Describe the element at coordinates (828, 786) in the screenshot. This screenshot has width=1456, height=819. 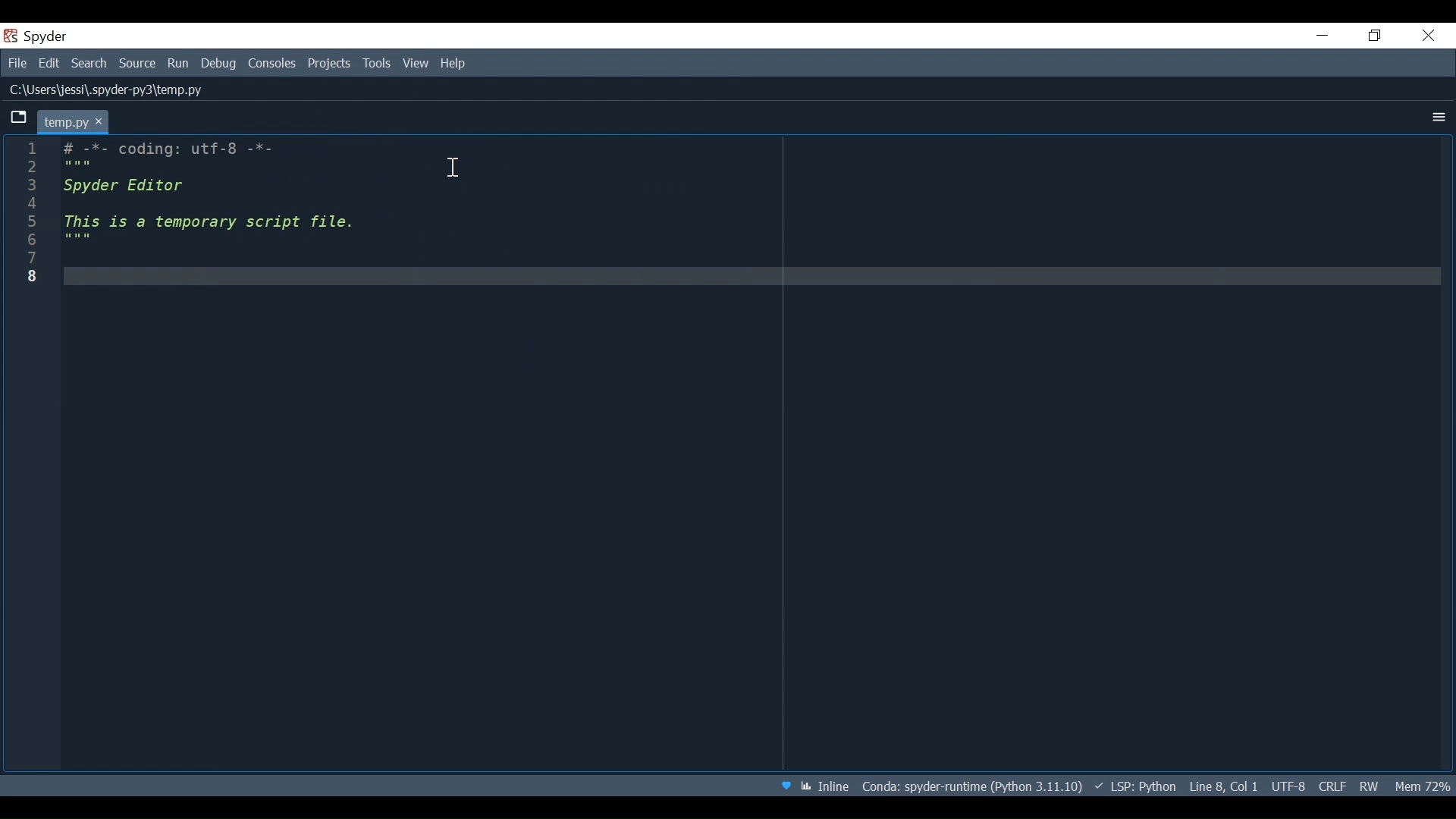
I see `Inline` at that location.